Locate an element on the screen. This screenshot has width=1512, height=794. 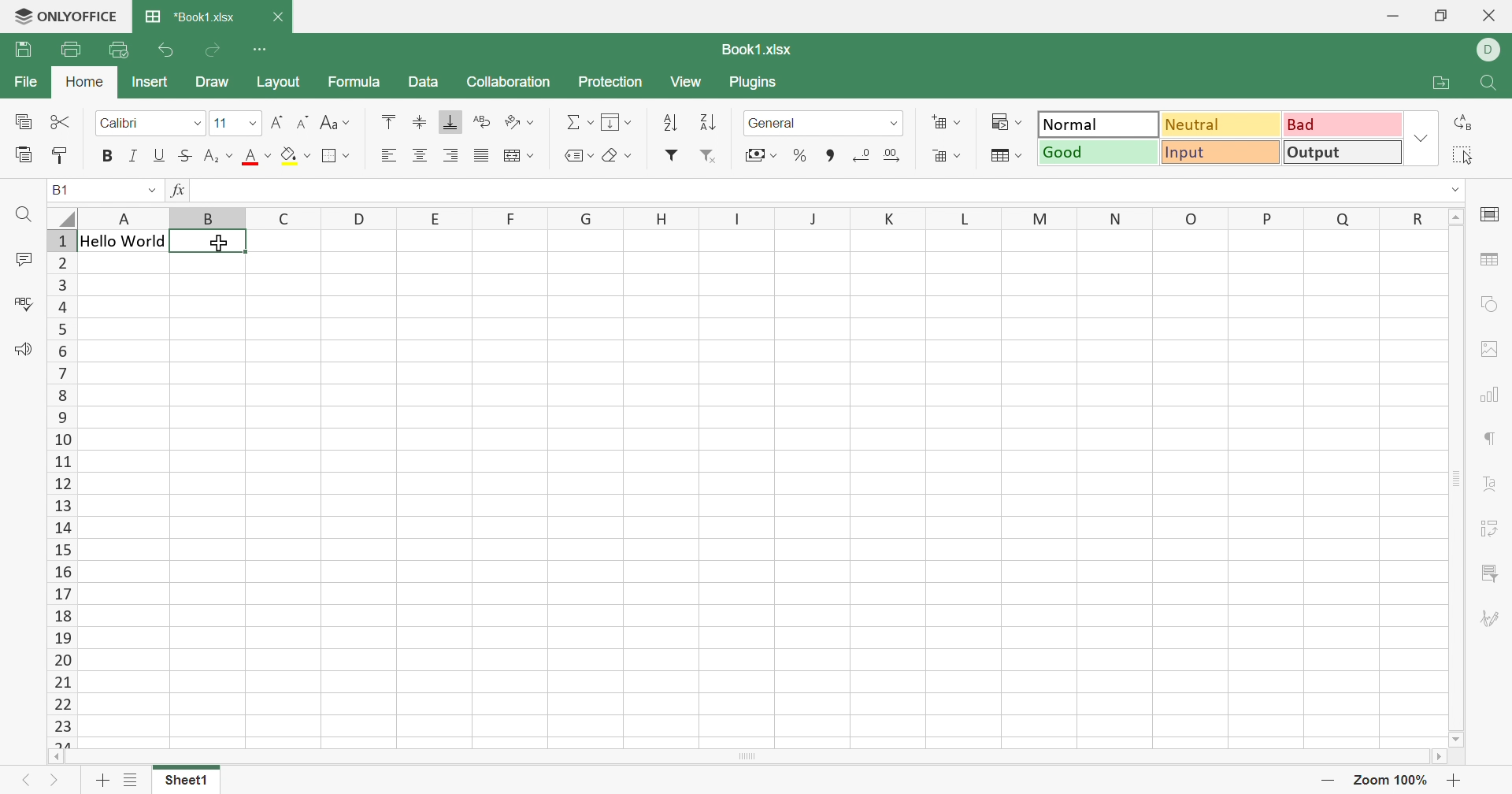
Orientation is located at coordinates (518, 124).